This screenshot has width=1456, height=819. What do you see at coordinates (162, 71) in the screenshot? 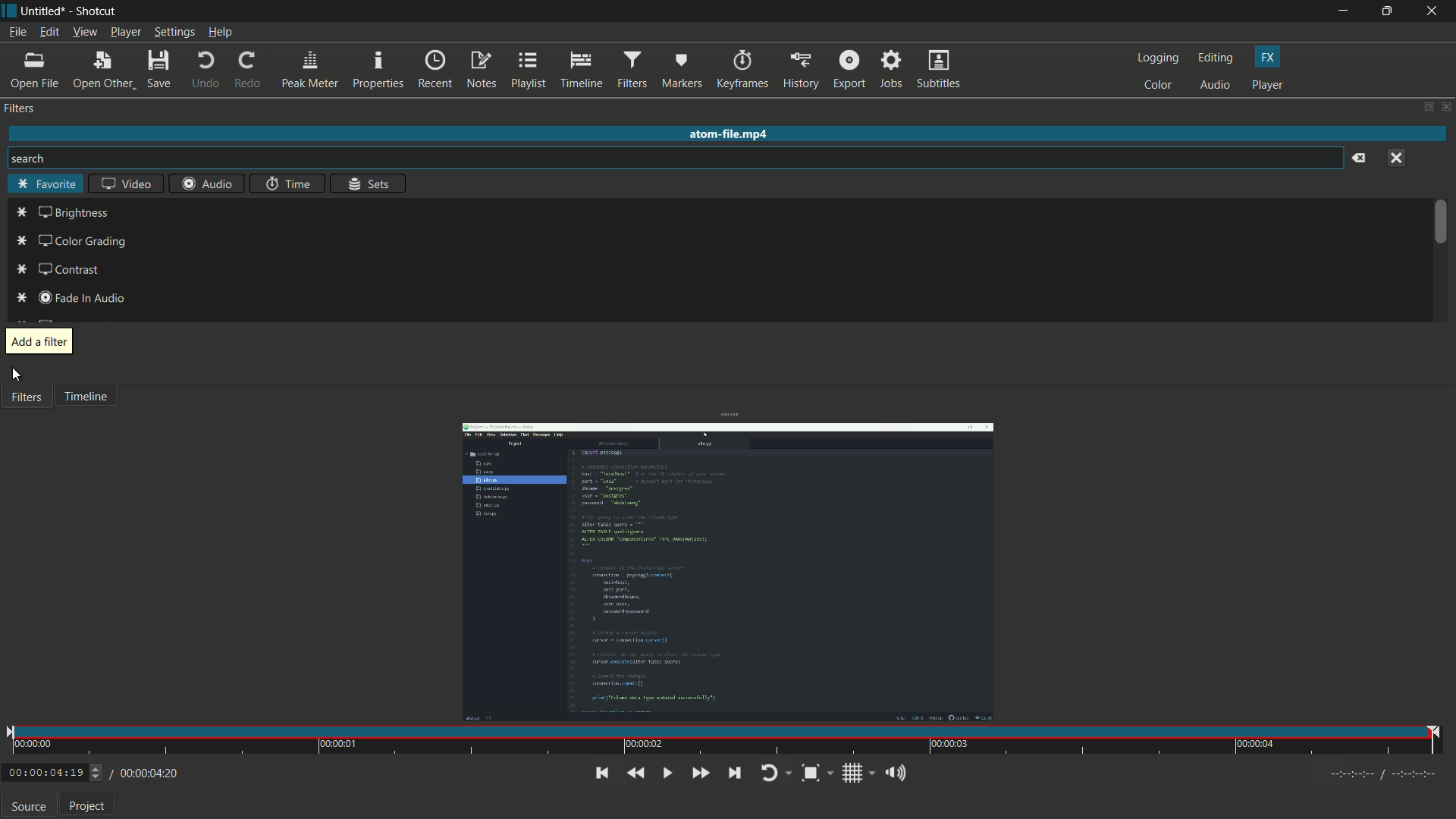
I see `save` at bounding box center [162, 71].